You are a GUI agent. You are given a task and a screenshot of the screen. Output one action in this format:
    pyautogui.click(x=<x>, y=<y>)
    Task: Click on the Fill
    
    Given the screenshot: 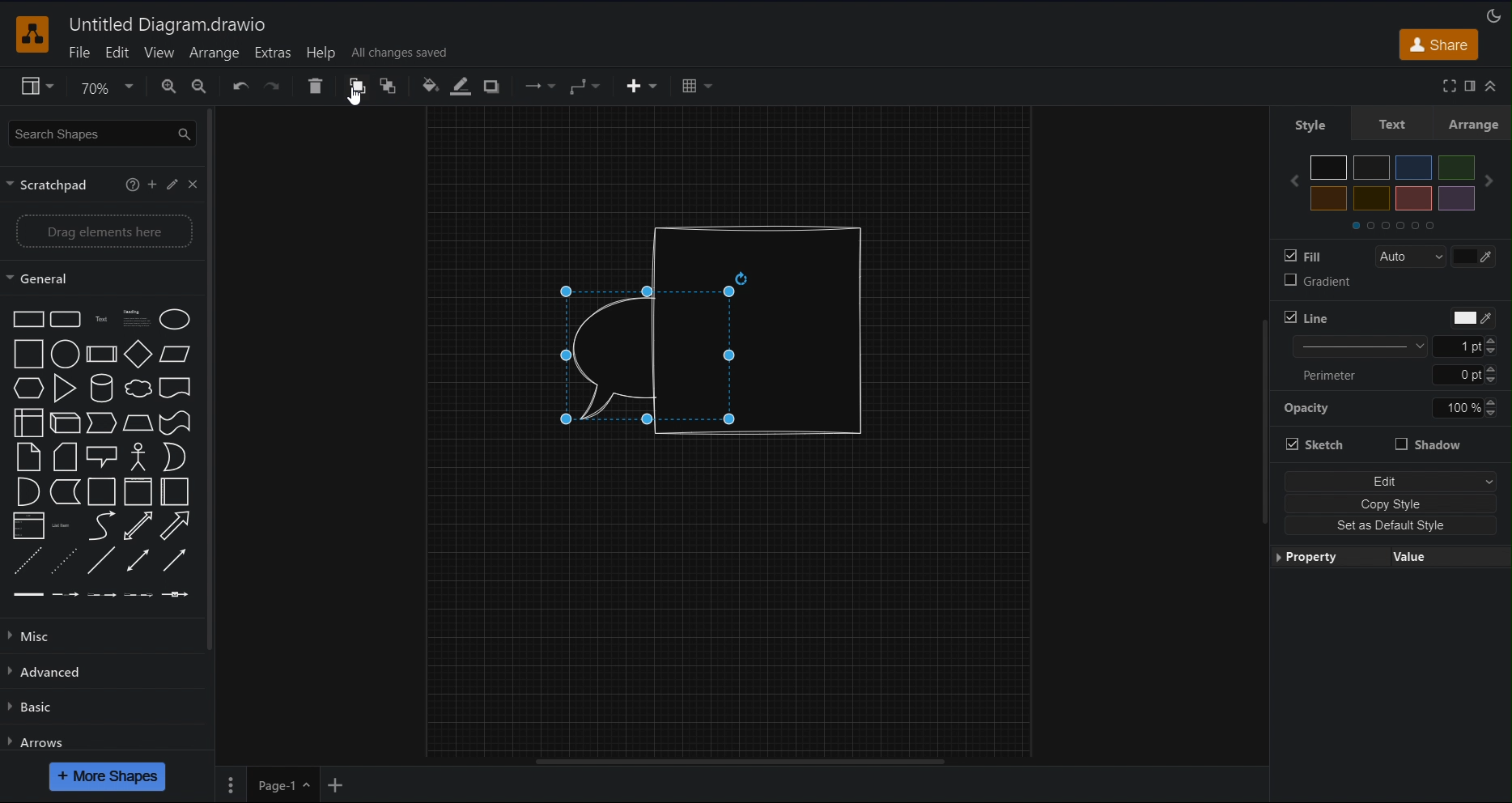 What is the action you would take?
    pyautogui.click(x=1302, y=256)
    